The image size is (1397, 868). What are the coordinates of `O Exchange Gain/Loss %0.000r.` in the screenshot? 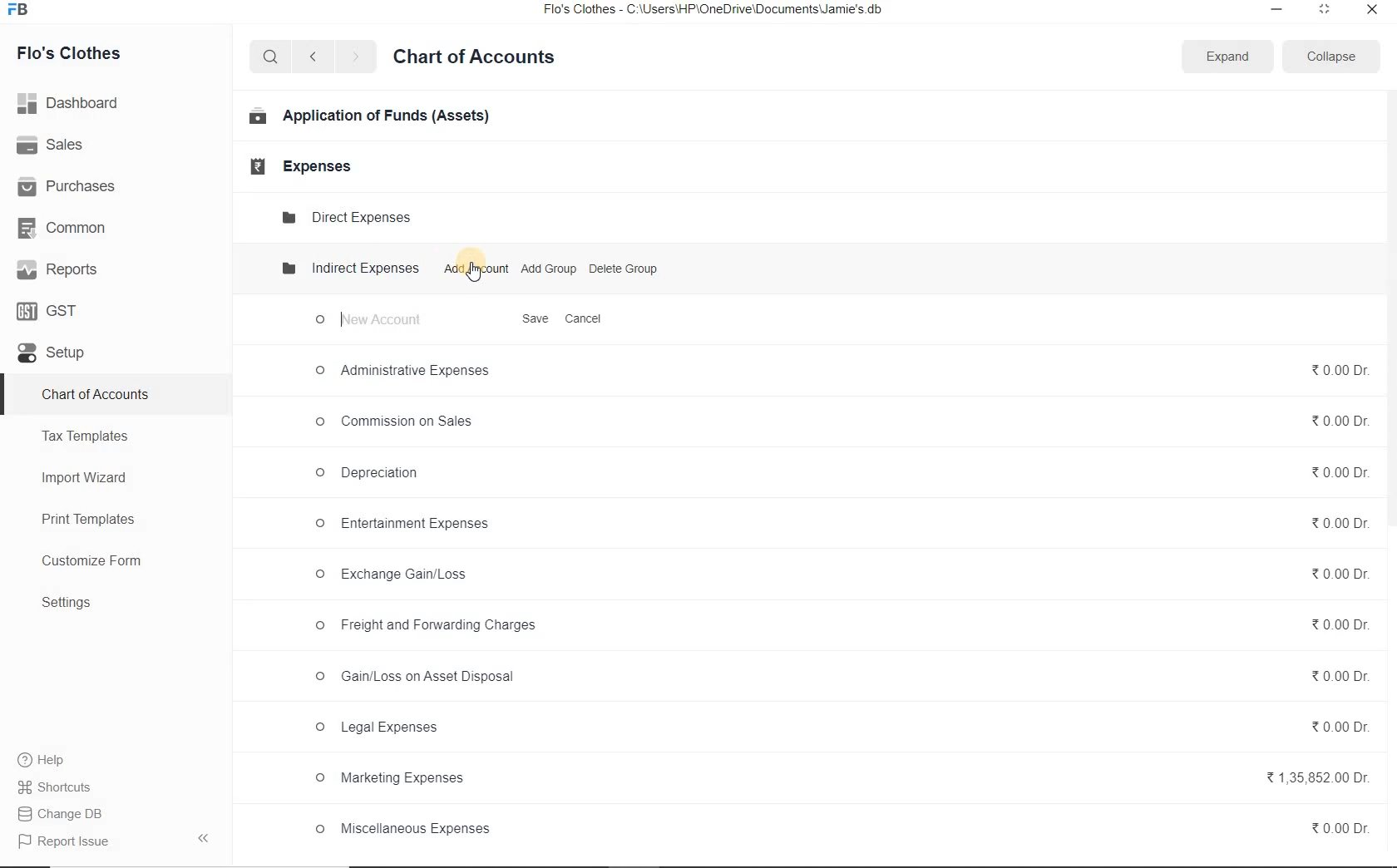 It's located at (840, 575).